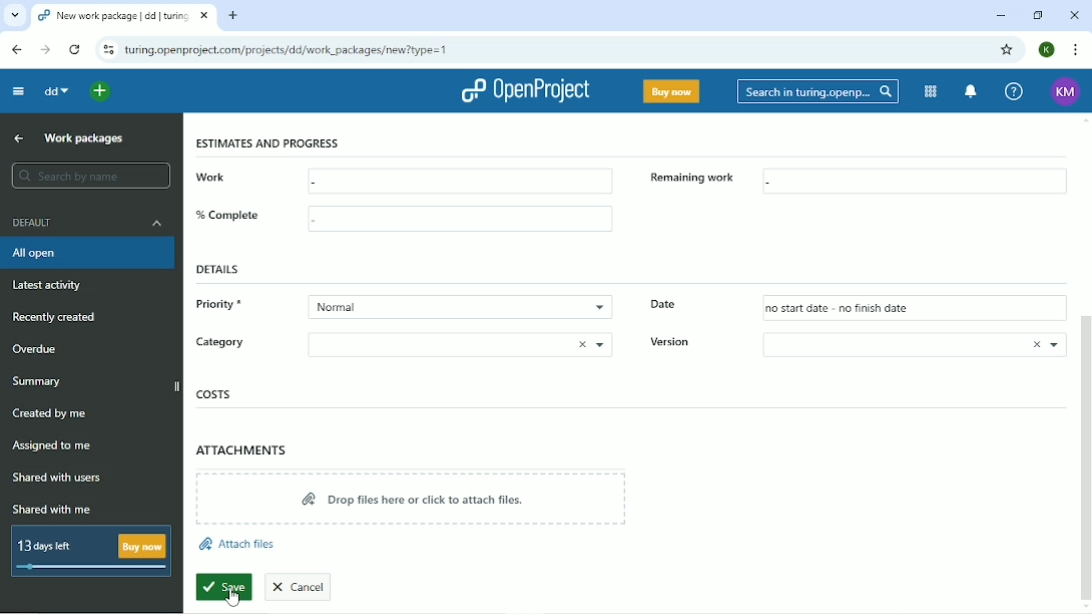 The height and width of the screenshot is (614, 1092). I want to click on Save, so click(225, 590).